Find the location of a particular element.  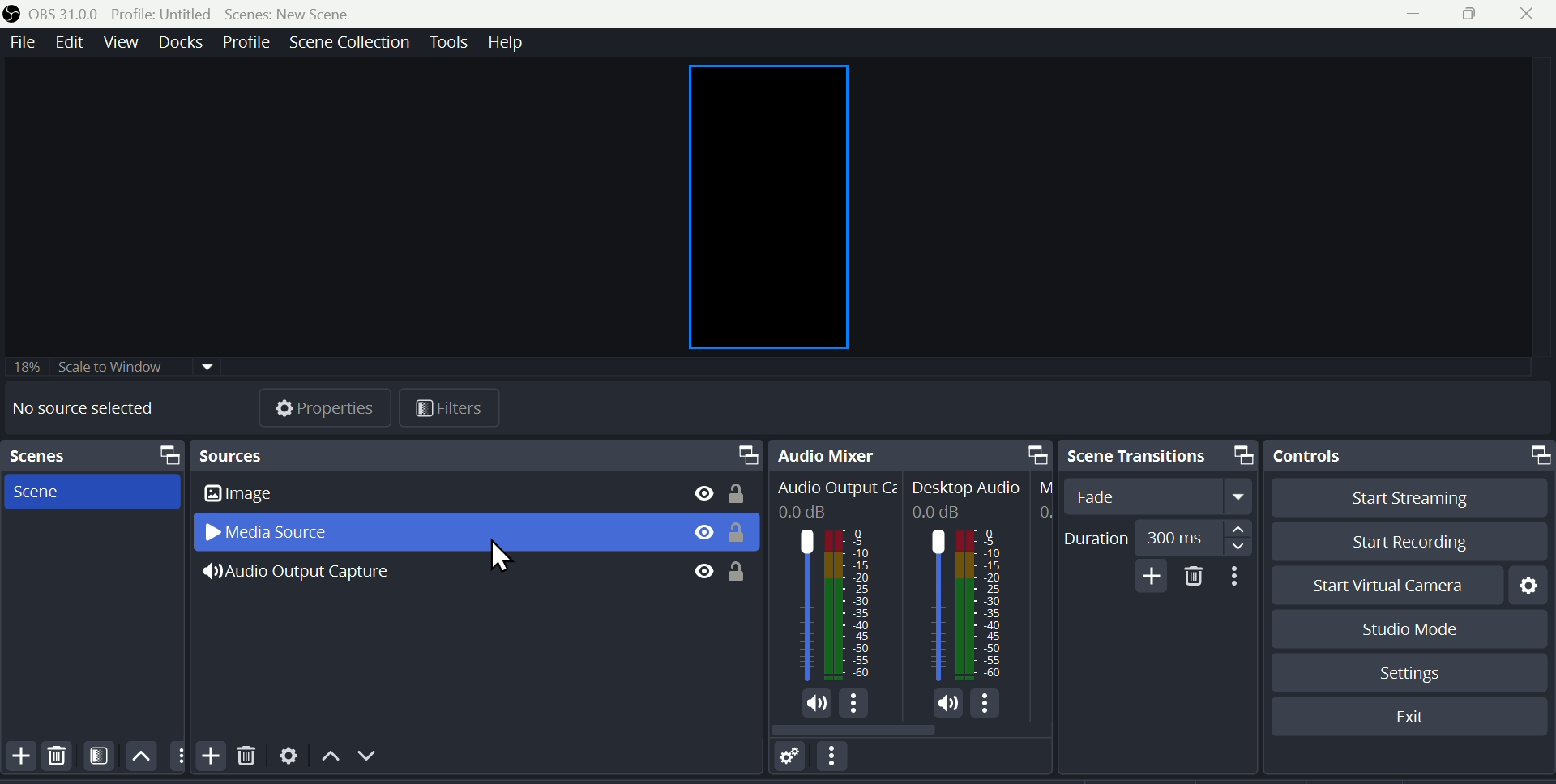

Add is located at coordinates (207, 754).